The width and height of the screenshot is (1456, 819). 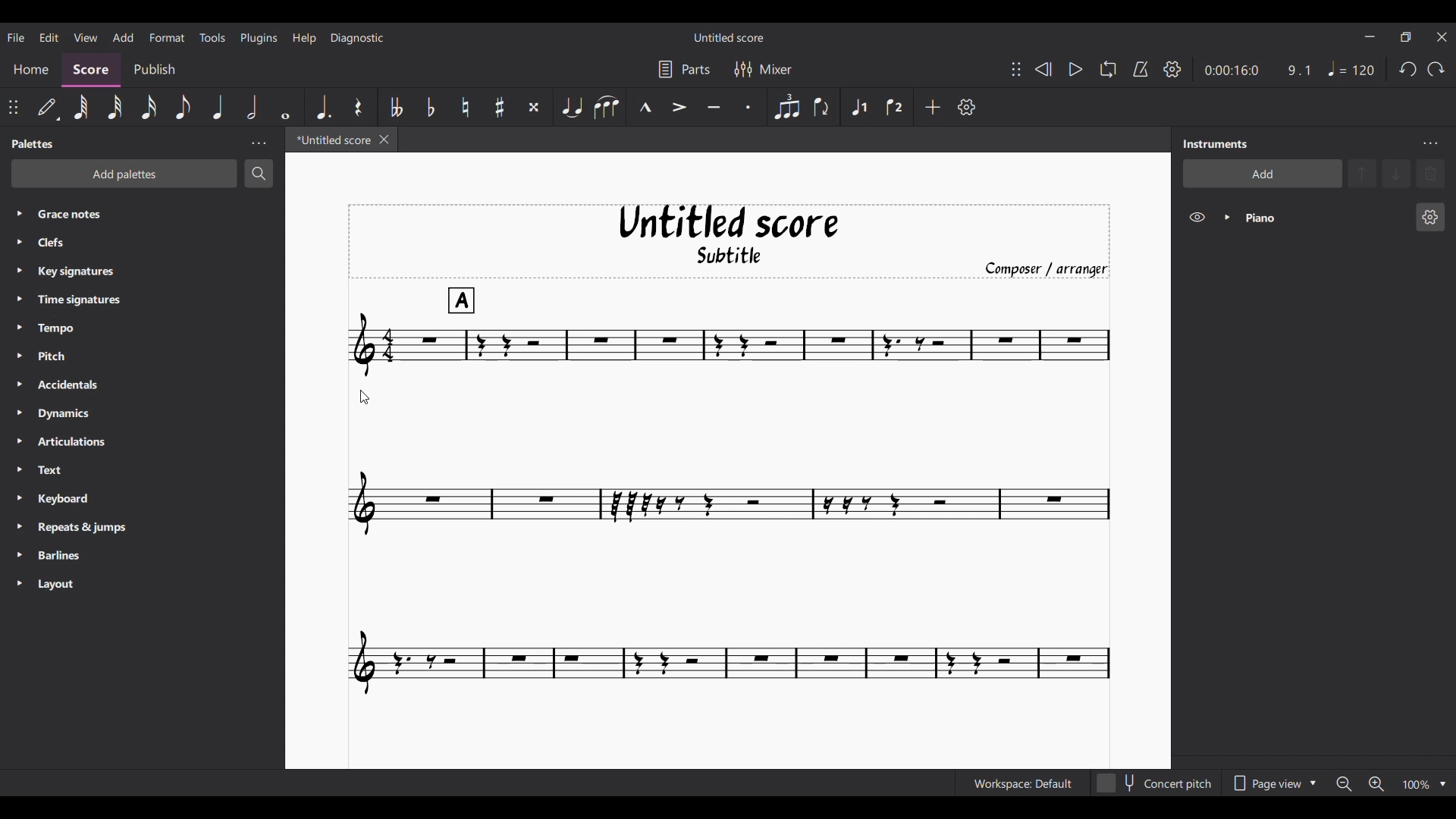 What do you see at coordinates (1022, 783) in the screenshot?
I see `Current workspace settings` at bounding box center [1022, 783].